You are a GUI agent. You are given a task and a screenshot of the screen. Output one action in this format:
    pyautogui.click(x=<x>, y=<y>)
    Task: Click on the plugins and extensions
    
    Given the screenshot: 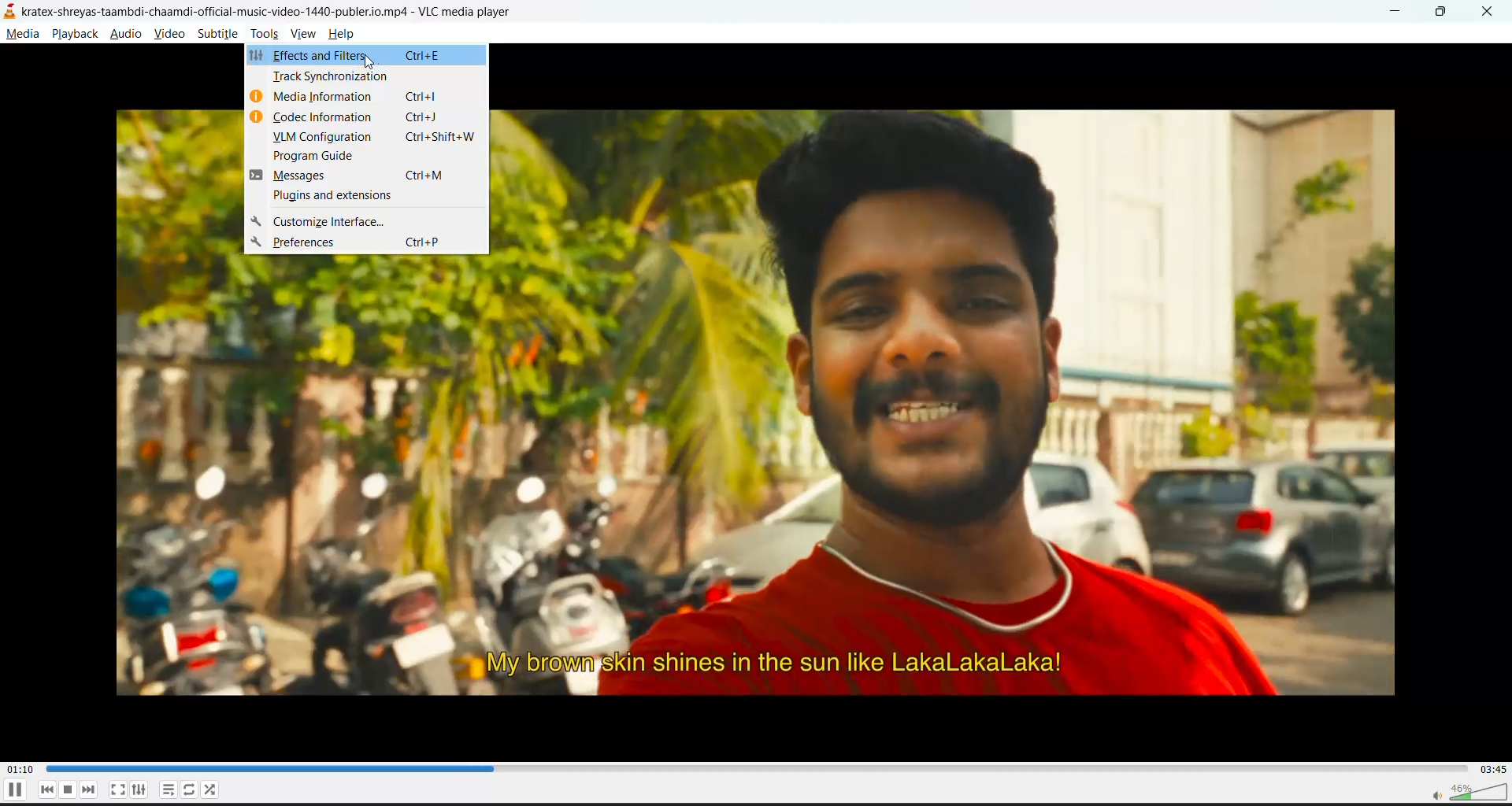 What is the action you would take?
    pyautogui.click(x=335, y=198)
    